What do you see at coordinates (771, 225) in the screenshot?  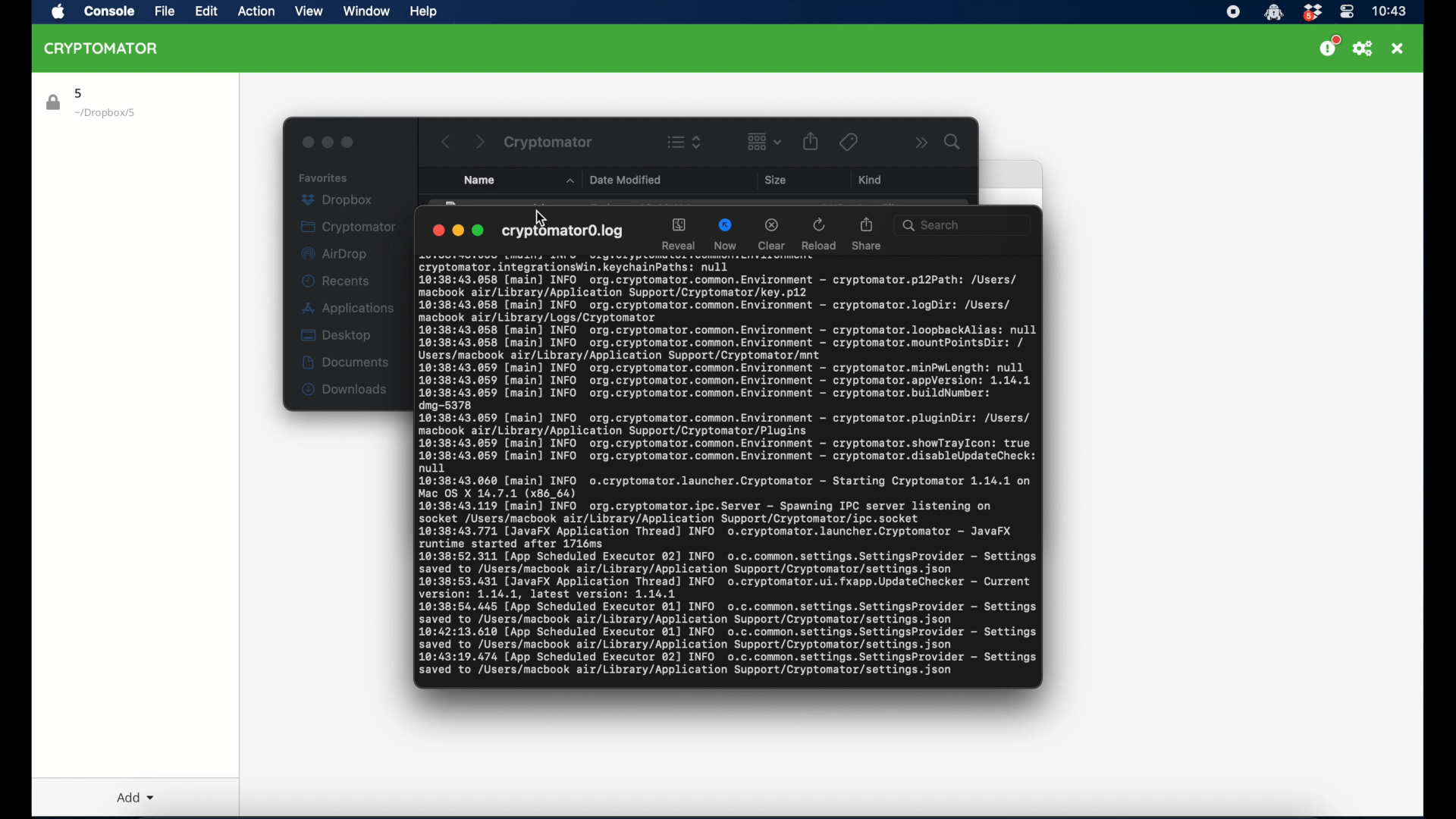 I see `clear` at bounding box center [771, 225].